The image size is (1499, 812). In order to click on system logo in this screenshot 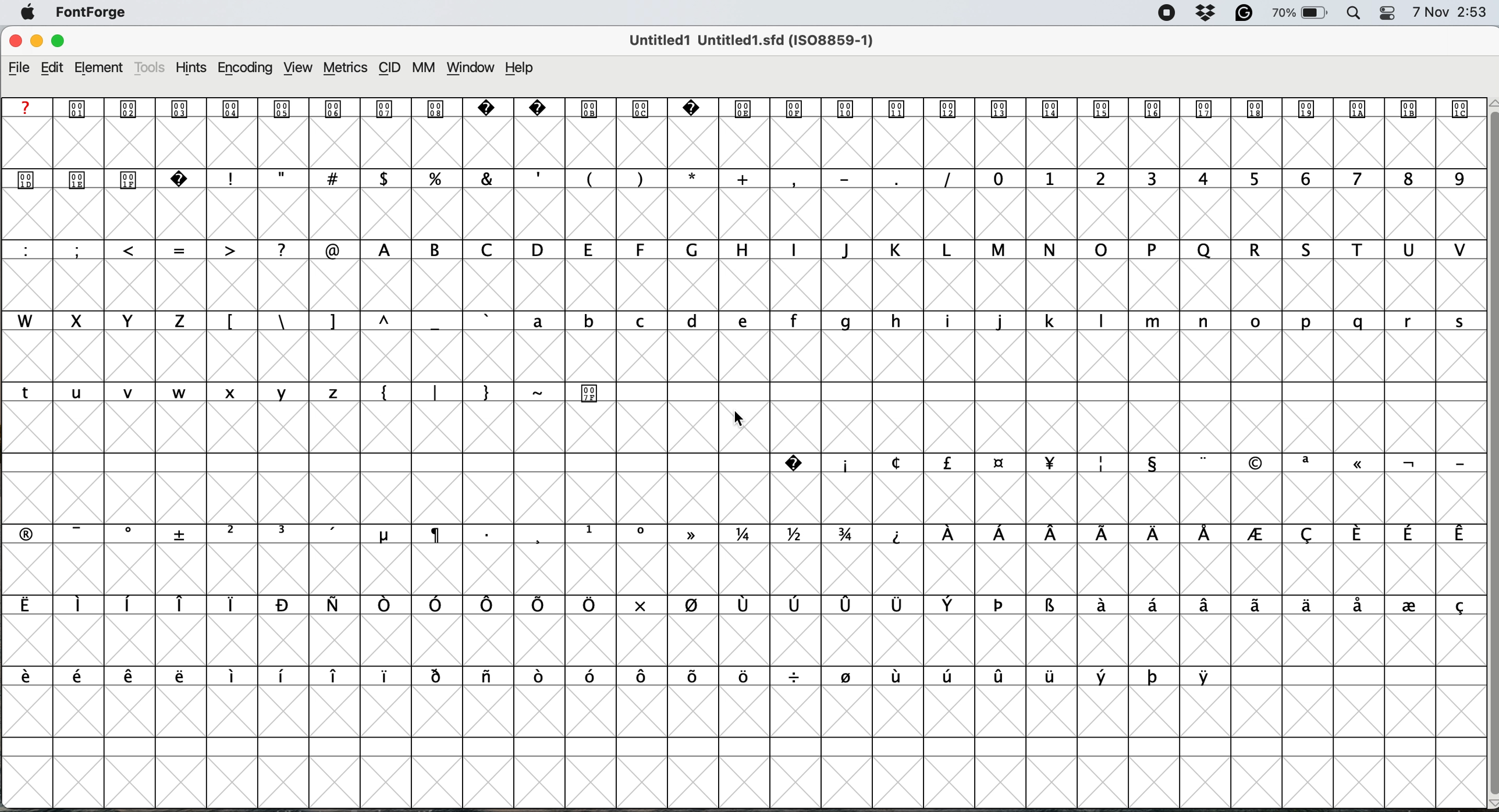, I will do `click(24, 13)`.